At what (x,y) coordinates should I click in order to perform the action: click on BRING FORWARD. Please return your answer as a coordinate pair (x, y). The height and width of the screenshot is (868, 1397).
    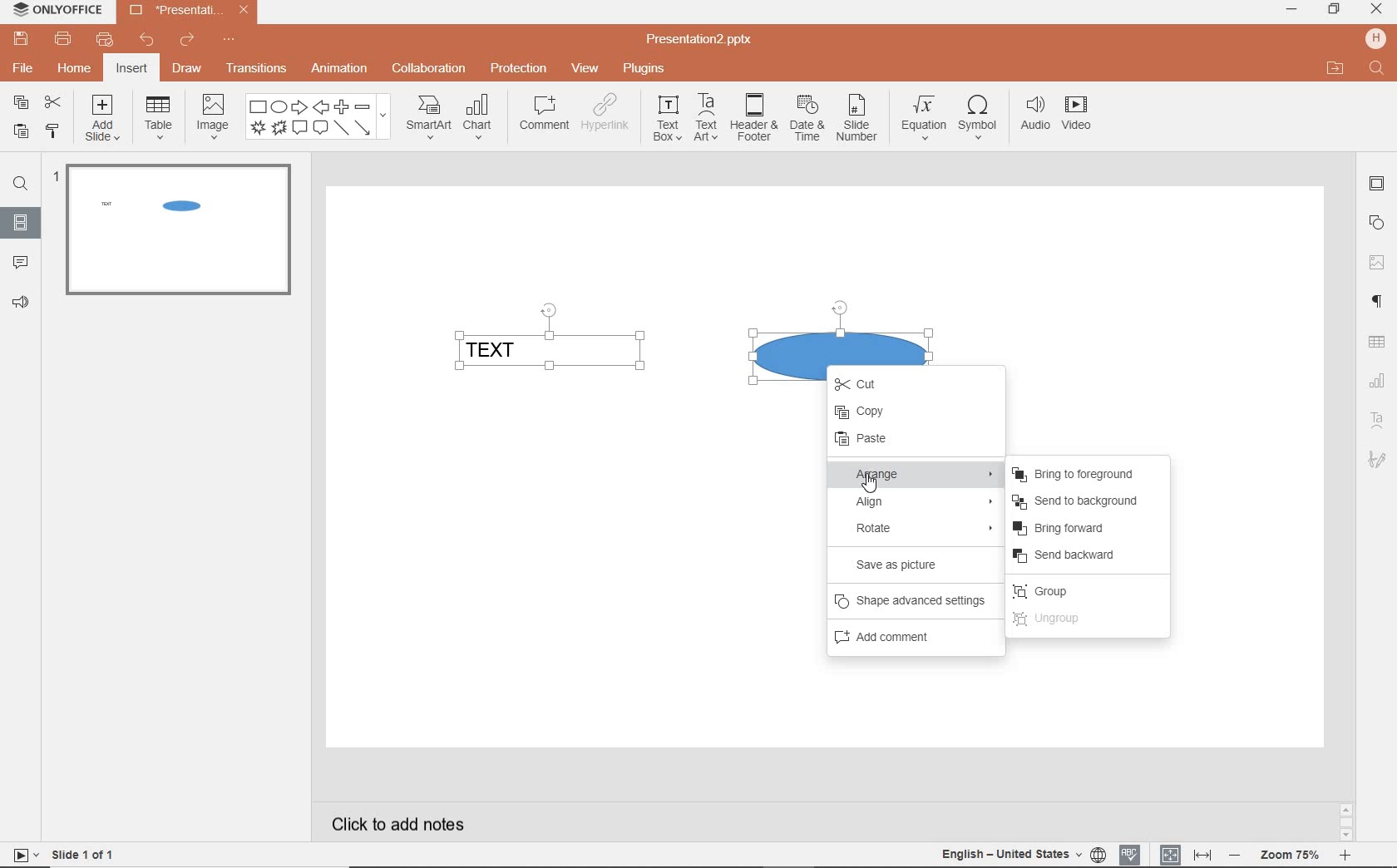
    Looking at the image, I should click on (1069, 529).